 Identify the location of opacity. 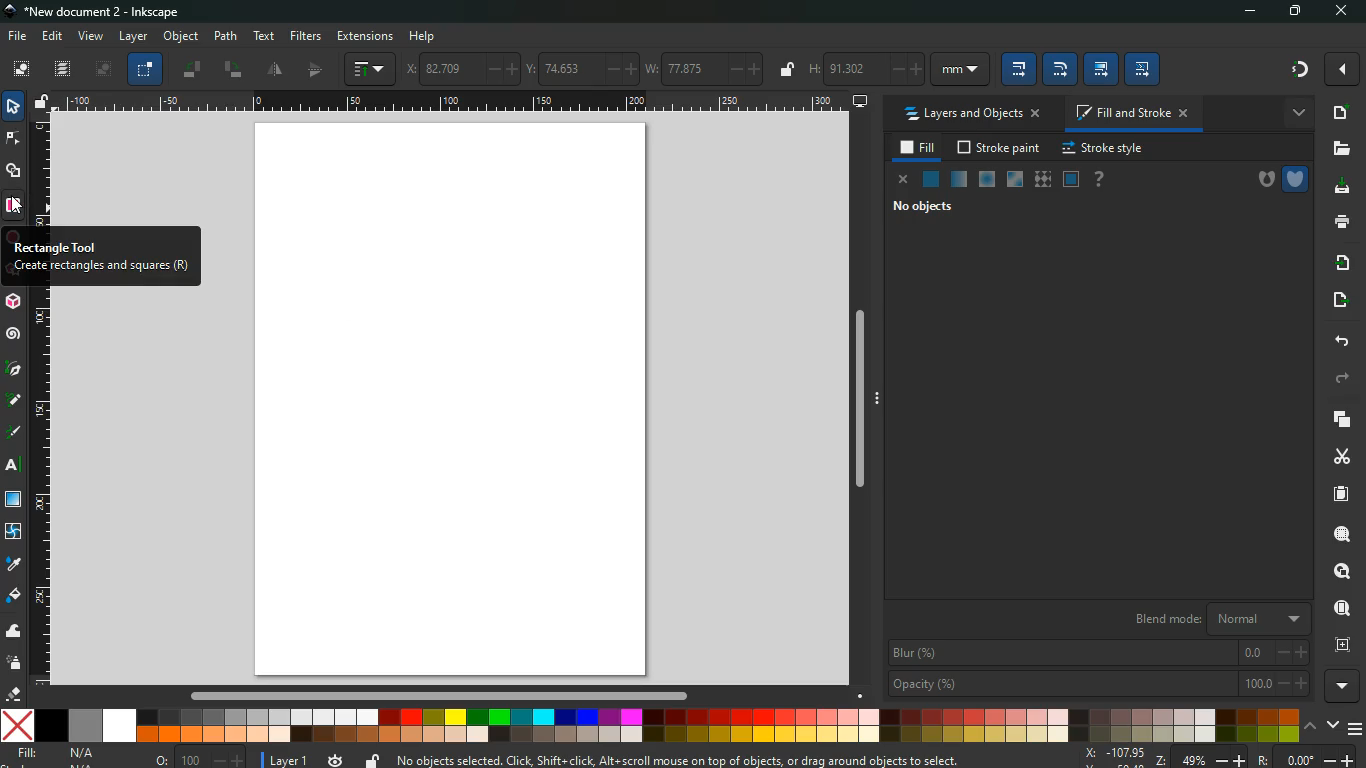
(958, 180).